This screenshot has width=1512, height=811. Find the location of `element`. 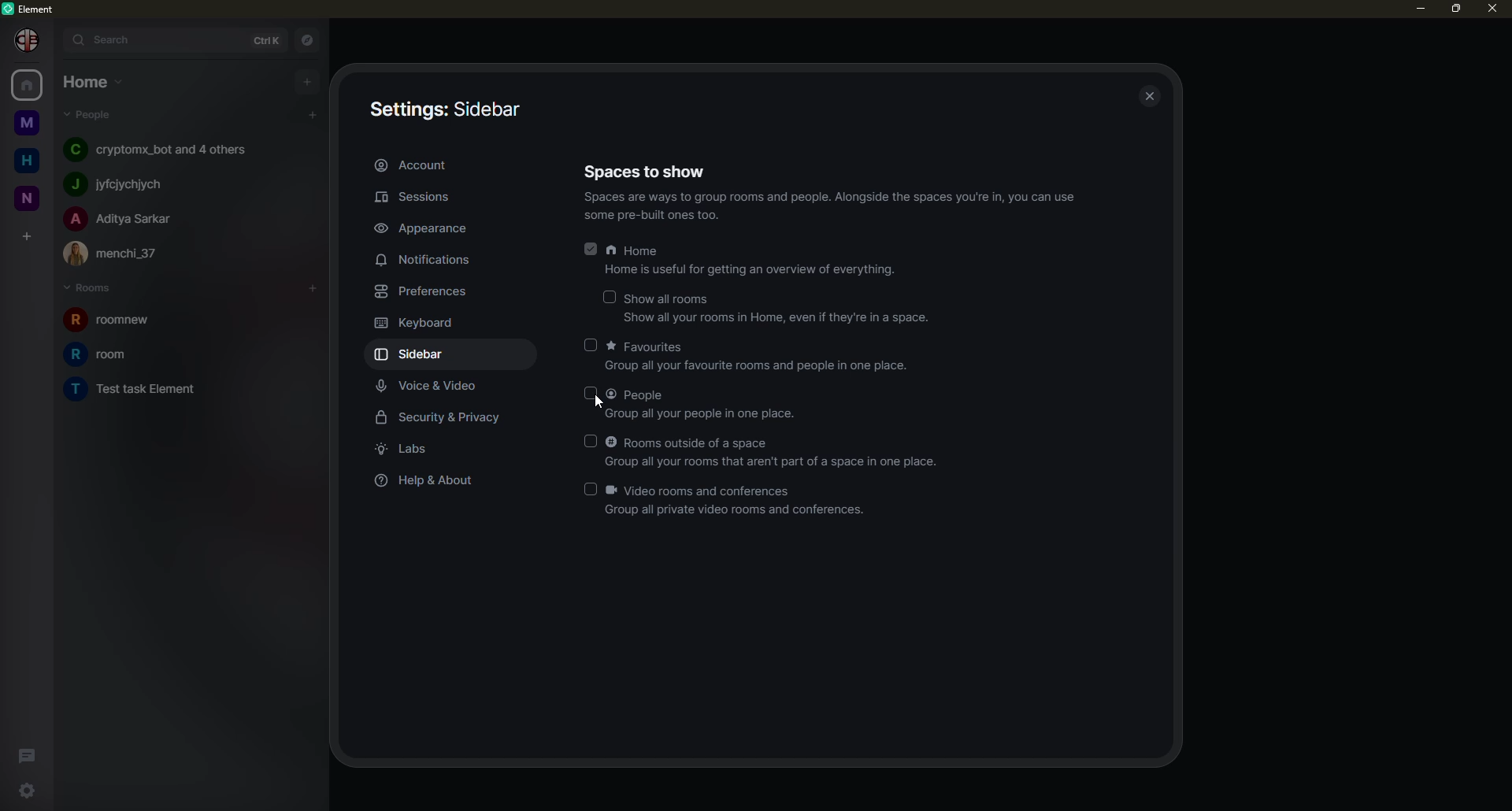

element is located at coordinates (34, 9).